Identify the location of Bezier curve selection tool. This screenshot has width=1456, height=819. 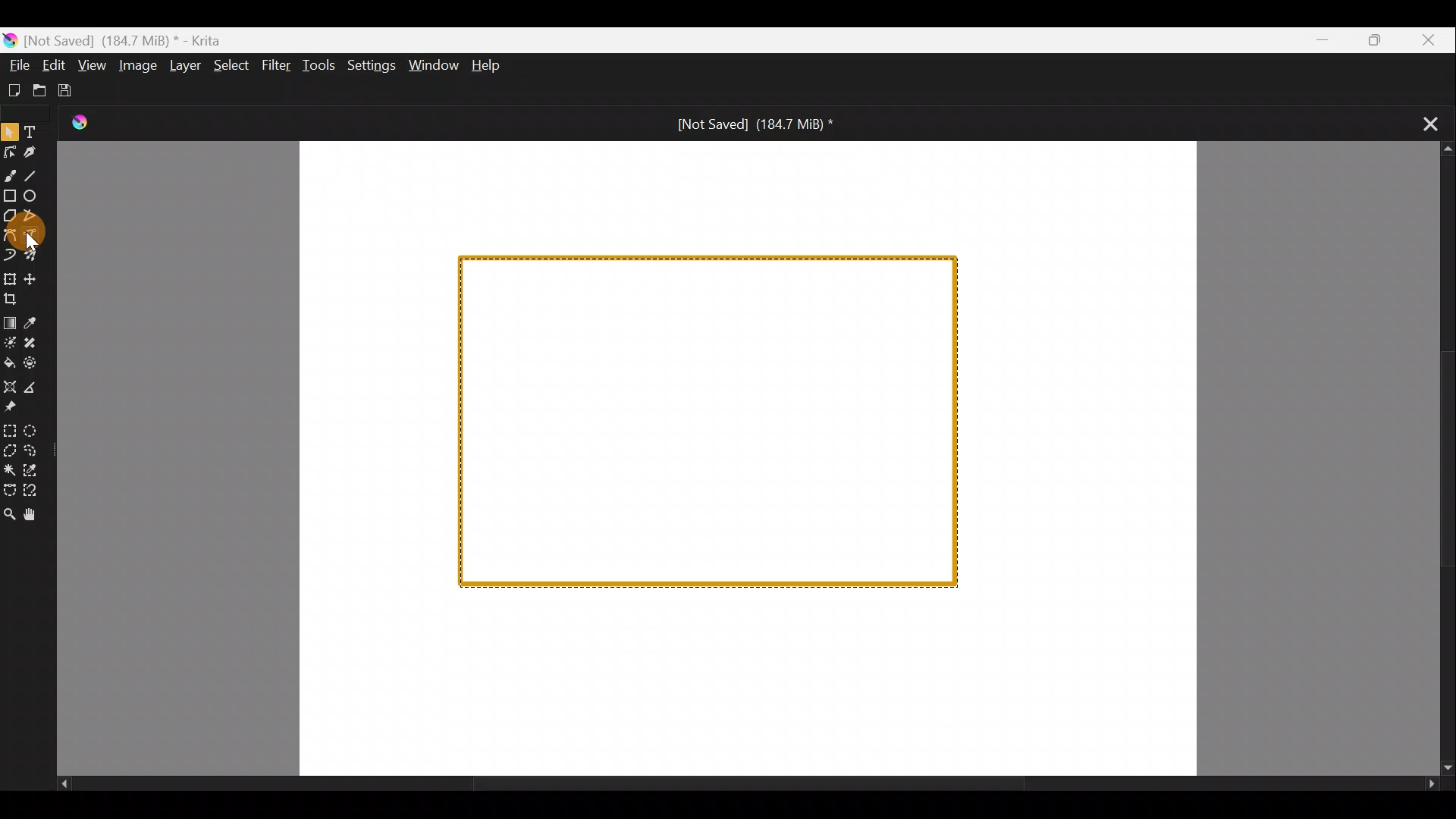
(9, 491).